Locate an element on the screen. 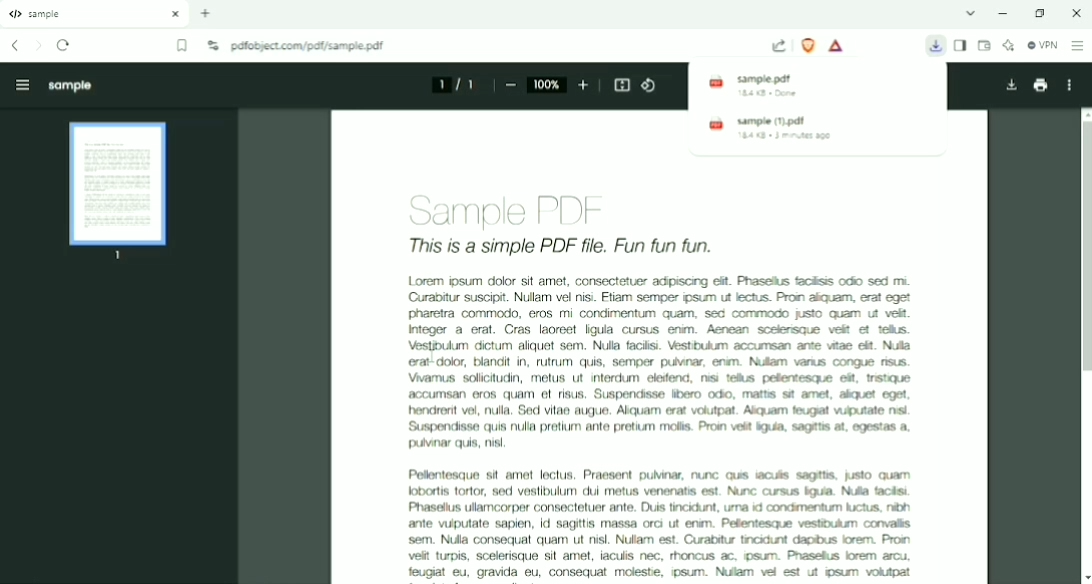 This screenshot has width=1092, height=584. Sample (1).pdf is located at coordinates (820, 128).